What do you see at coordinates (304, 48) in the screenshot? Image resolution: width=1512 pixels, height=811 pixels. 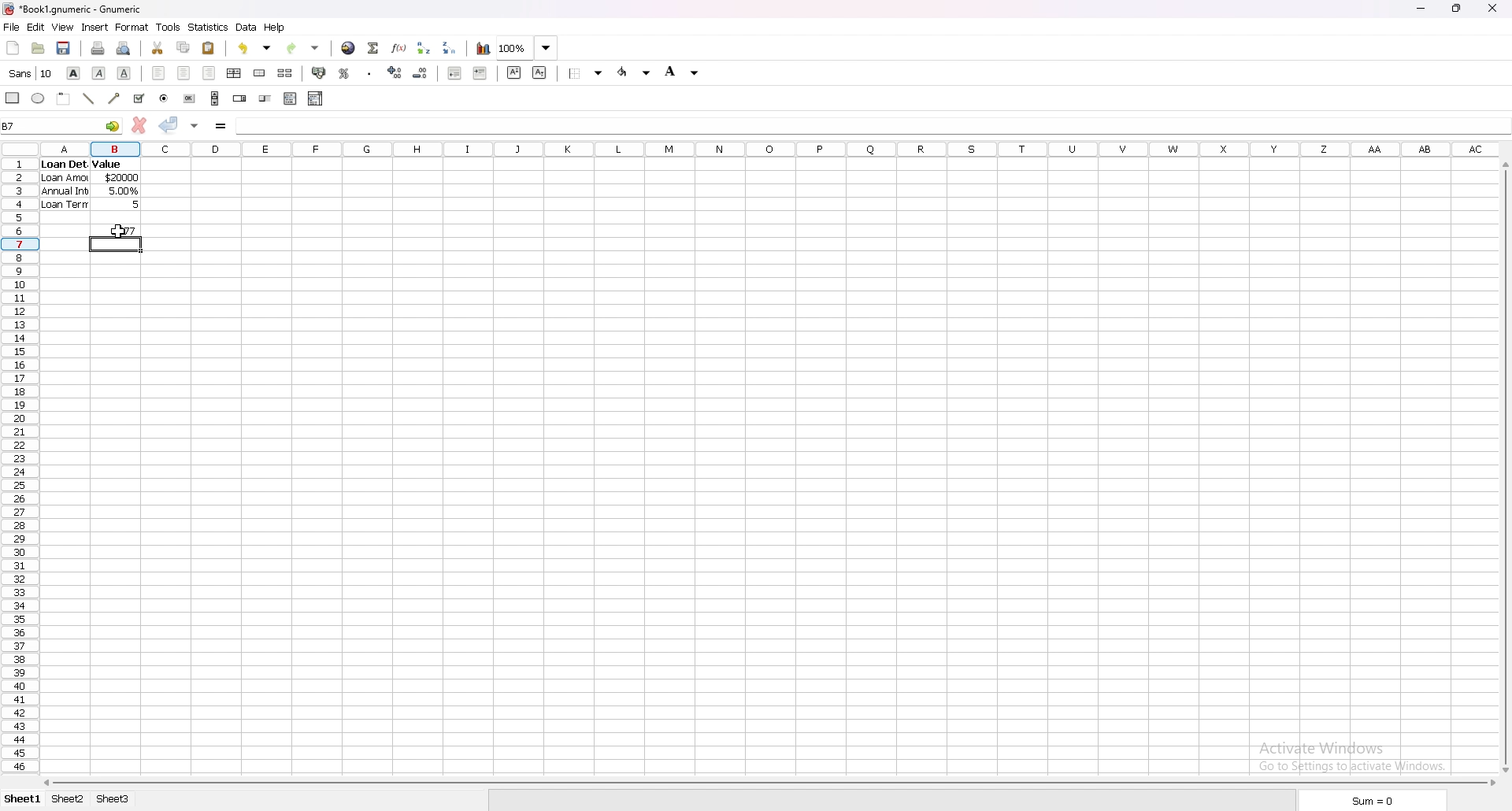 I see `redo` at bounding box center [304, 48].